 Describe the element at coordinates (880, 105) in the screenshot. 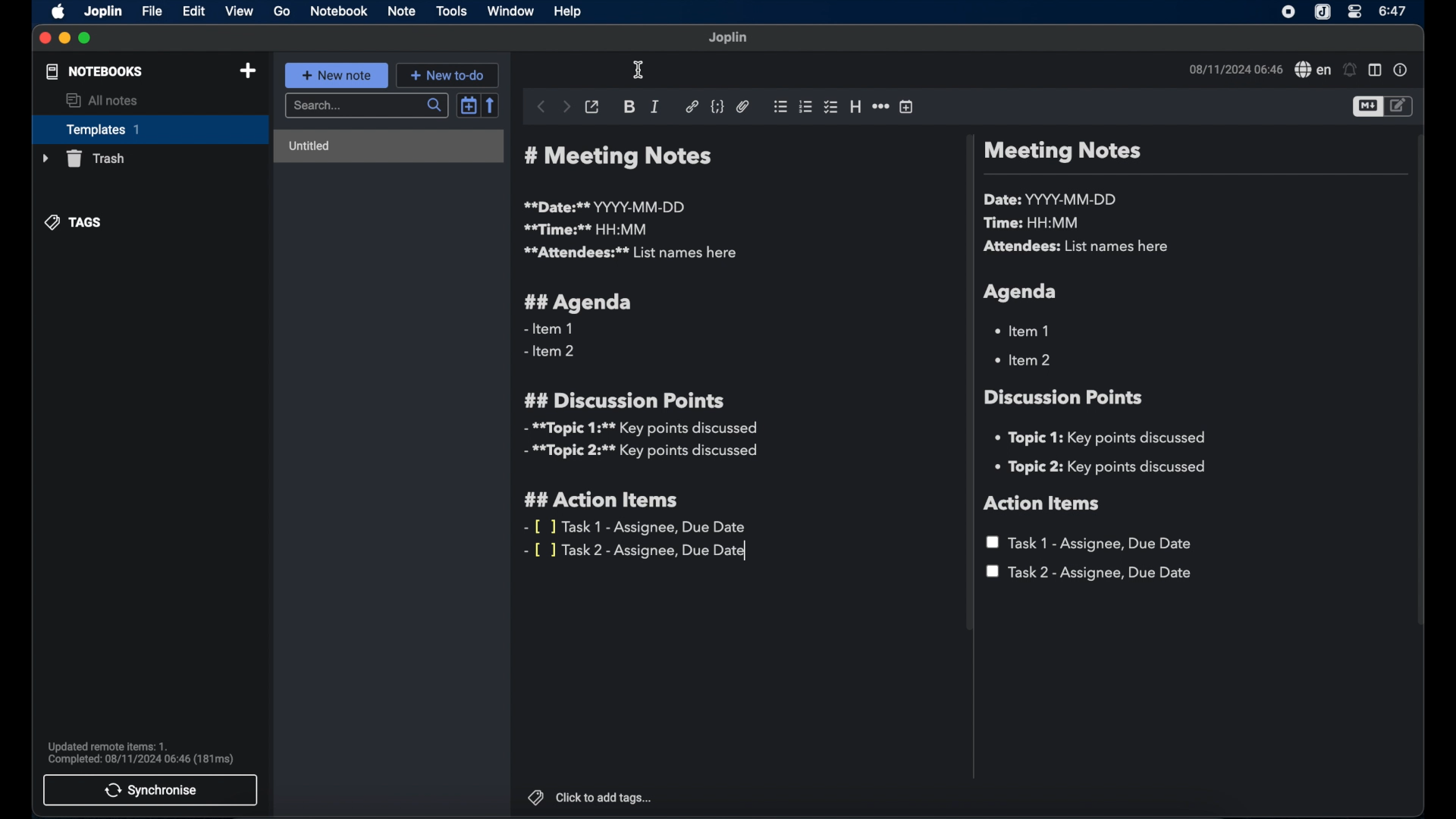

I see `horizontal rule` at that location.